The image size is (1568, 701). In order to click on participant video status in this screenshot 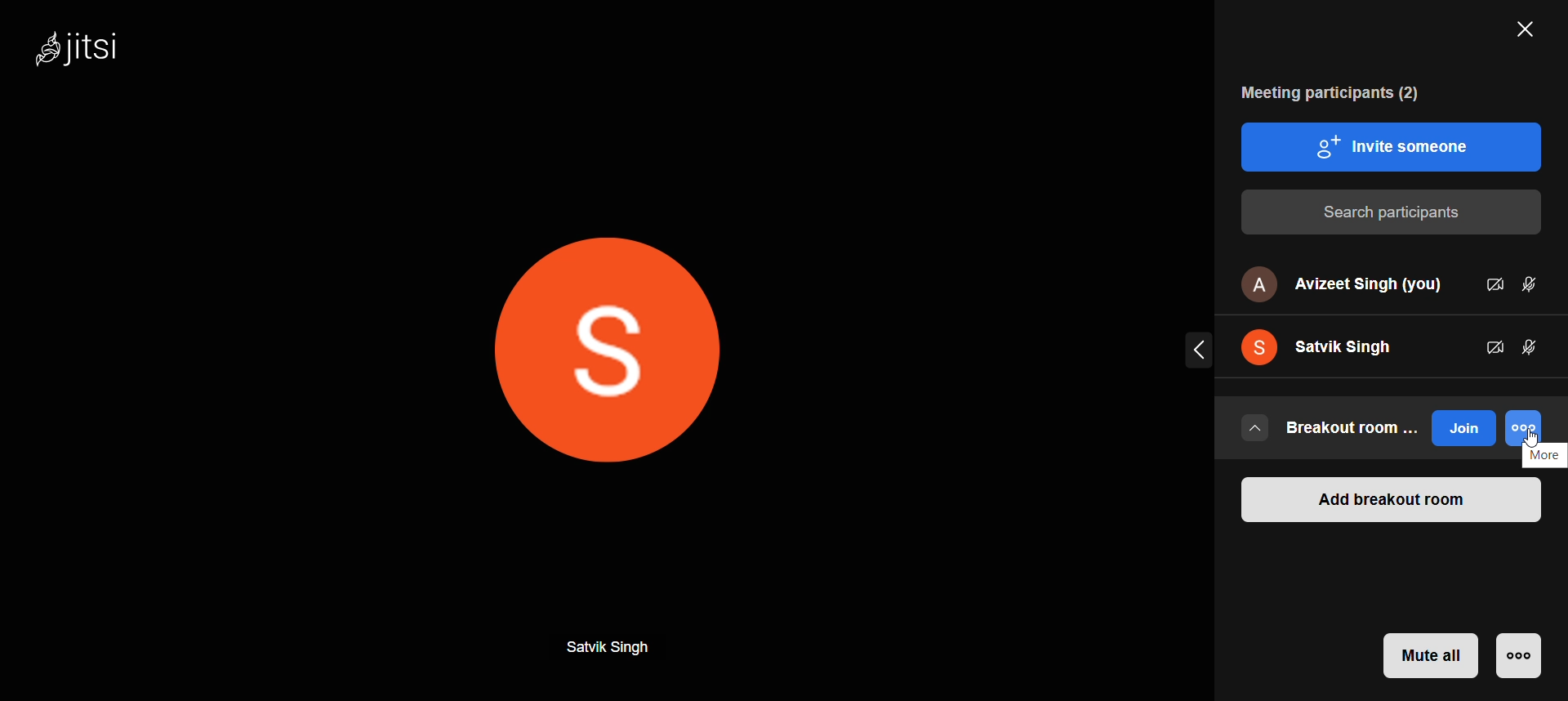, I will do `click(1490, 345)`.